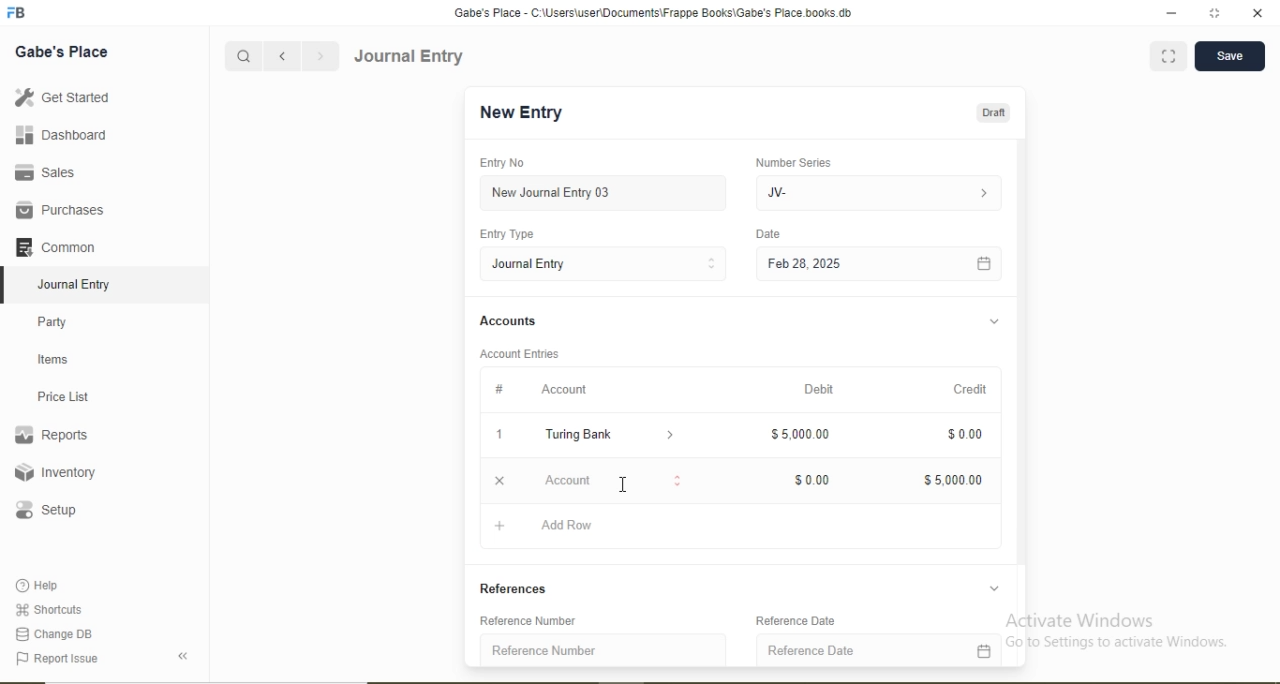 This screenshot has height=684, width=1280. Describe the element at coordinates (552, 193) in the screenshot. I see `New Journal Entry 03` at that location.